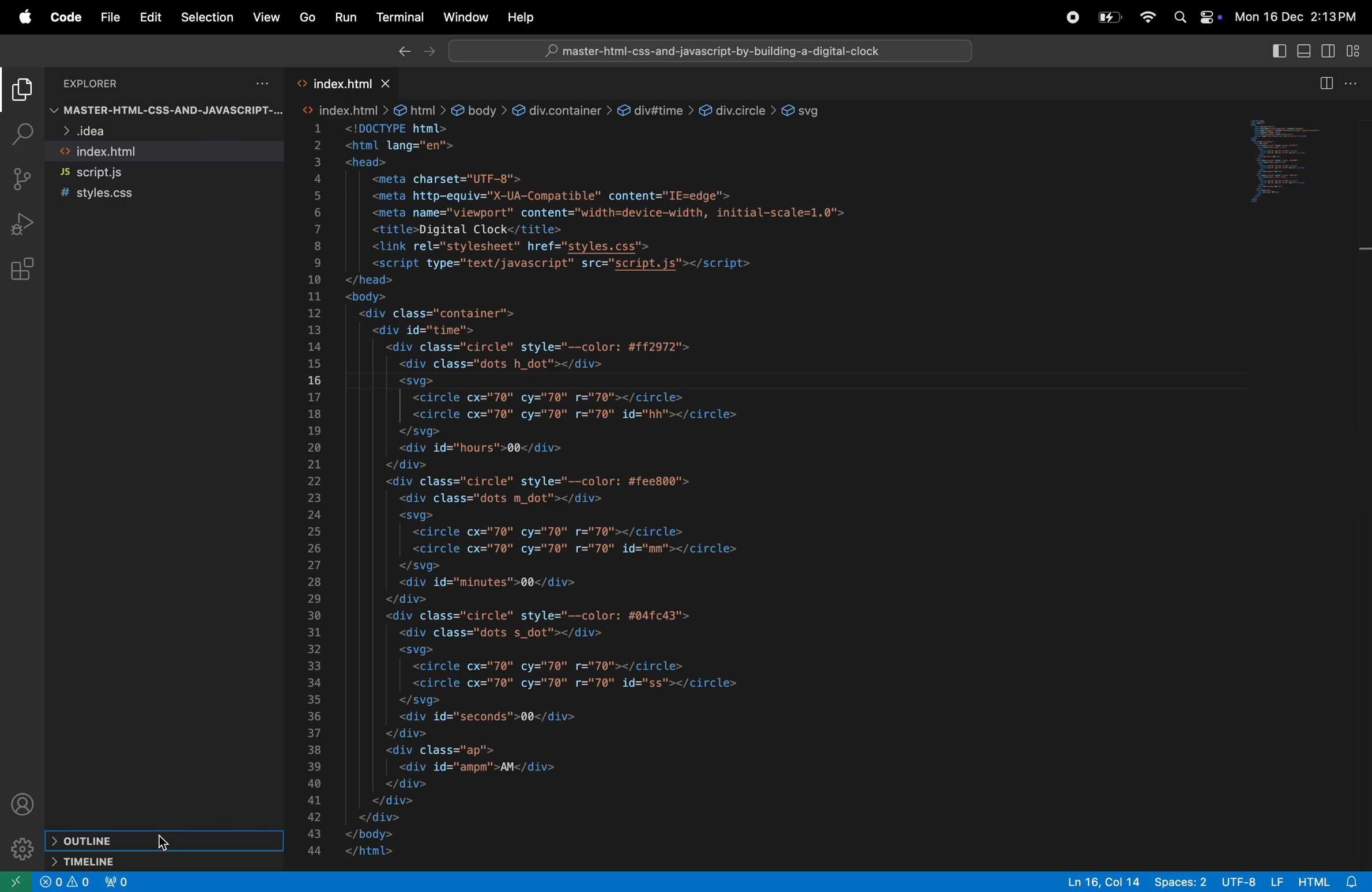  What do you see at coordinates (18, 16) in the screenshot?
I see `Apple menu` at bounding box center [18, 16].